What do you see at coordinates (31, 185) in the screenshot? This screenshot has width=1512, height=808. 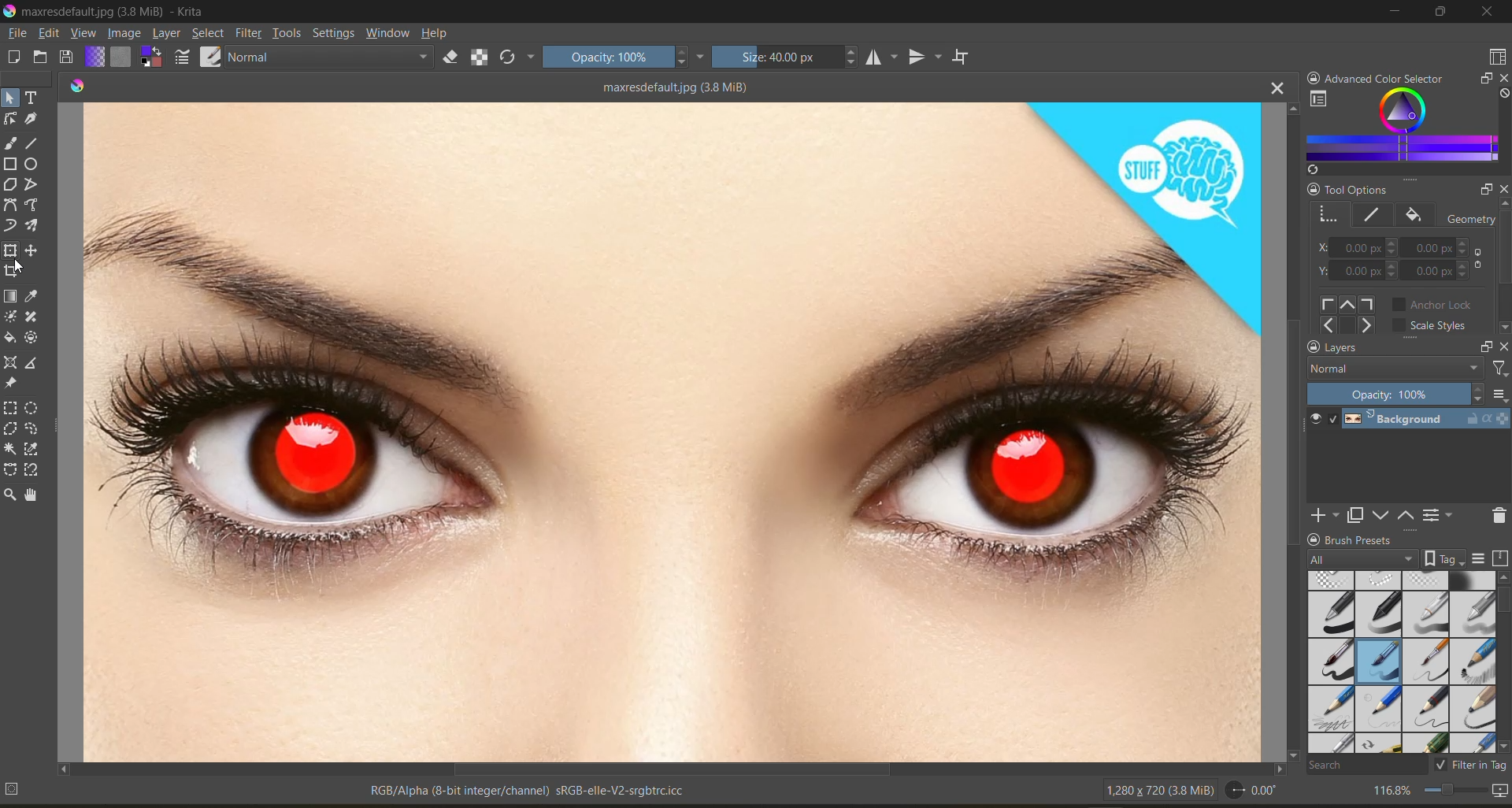 I see `tool` at bounding box center [31, 185].